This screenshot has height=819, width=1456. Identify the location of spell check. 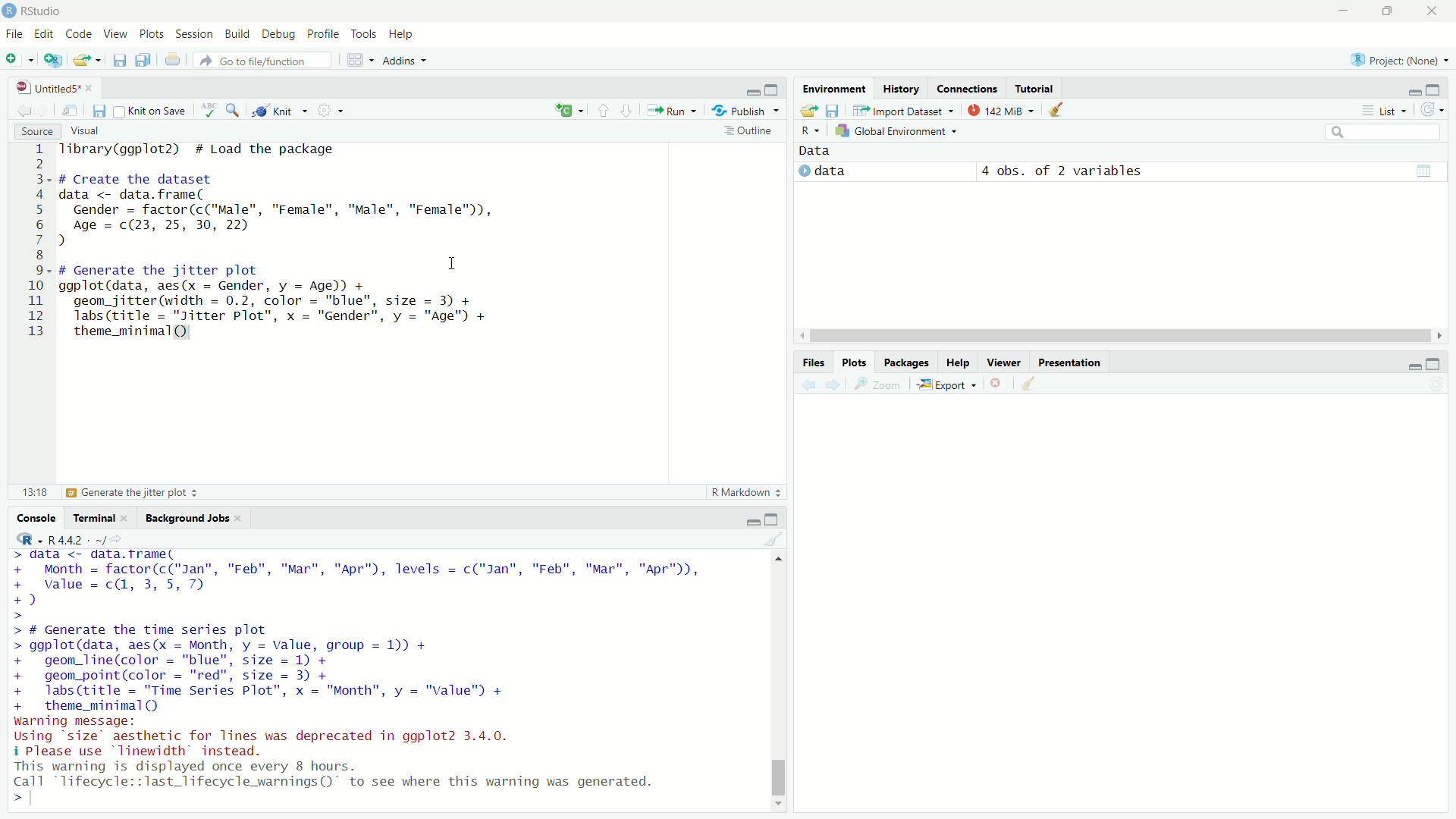
(209, 111).